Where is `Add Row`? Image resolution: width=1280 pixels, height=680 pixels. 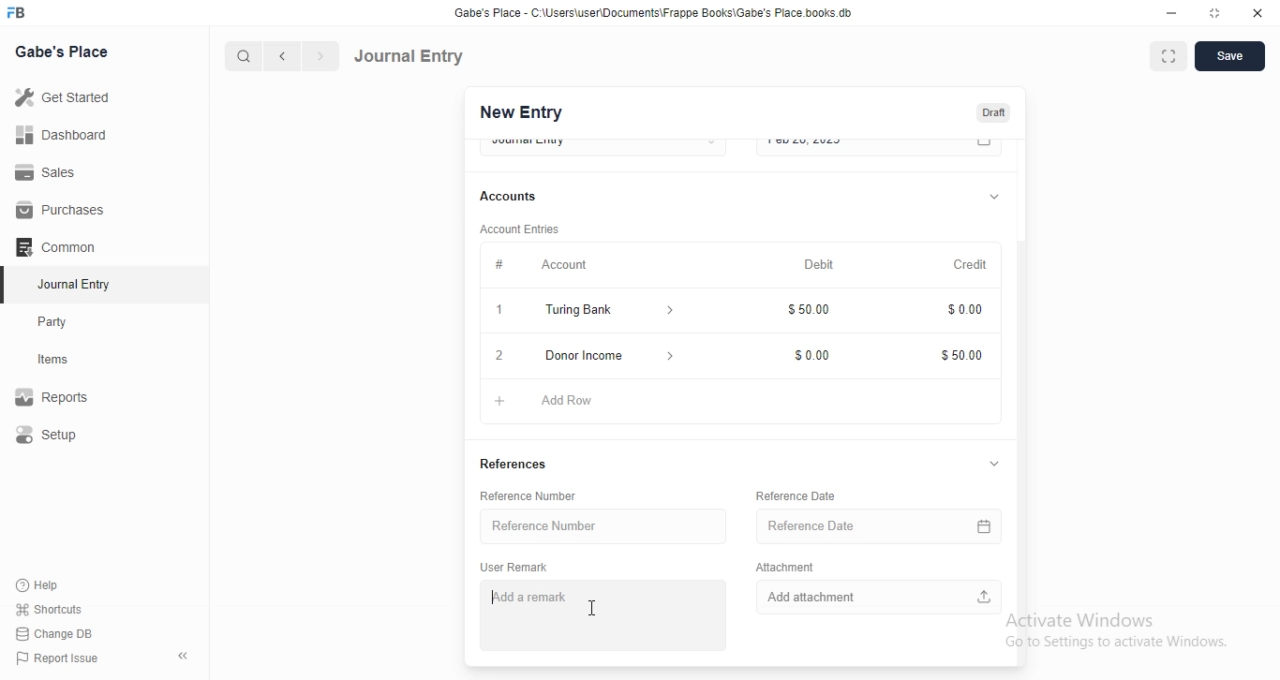
Add Row is located at coordinates (557, 398).